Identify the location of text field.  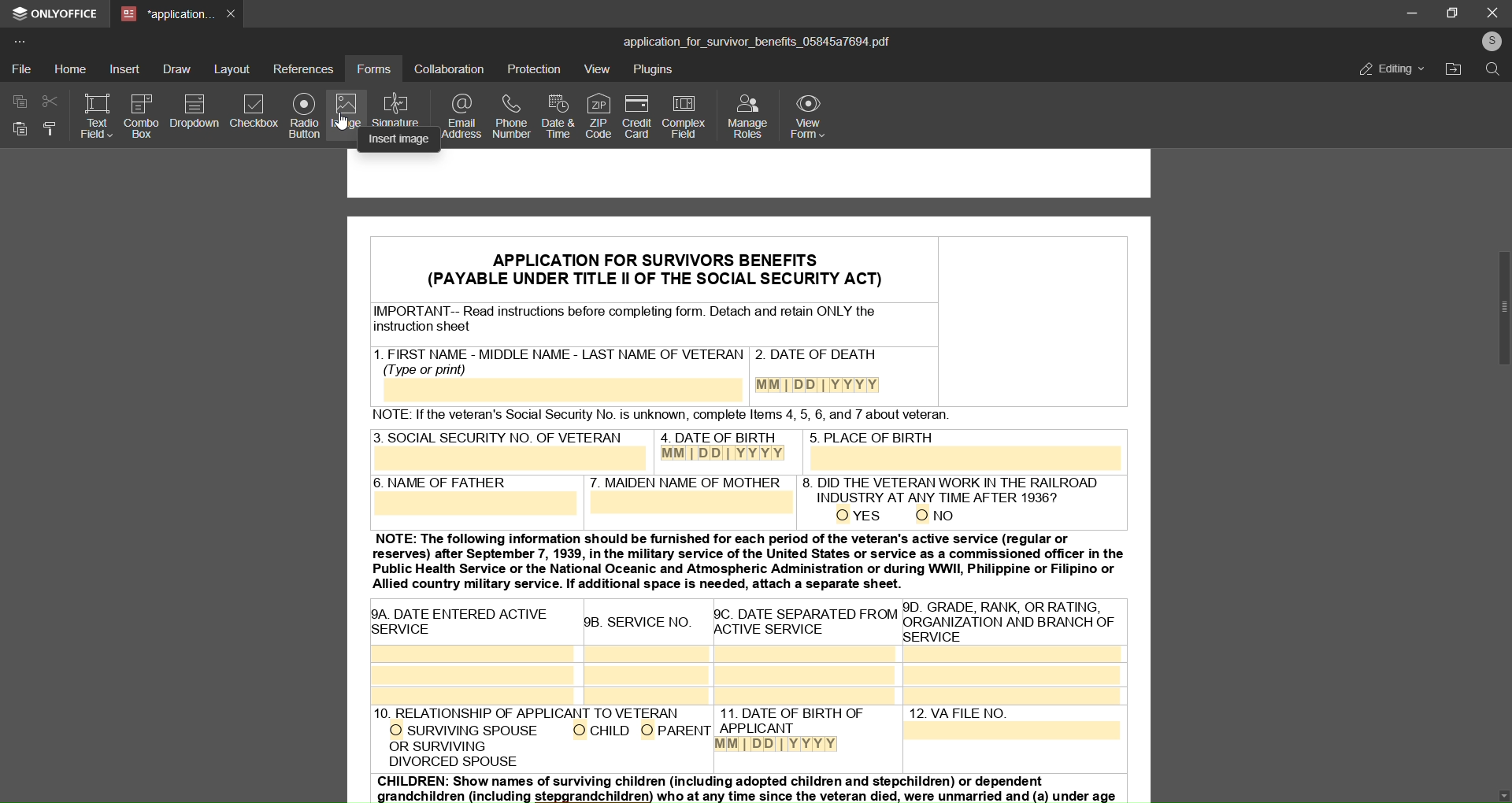
(94, 117).